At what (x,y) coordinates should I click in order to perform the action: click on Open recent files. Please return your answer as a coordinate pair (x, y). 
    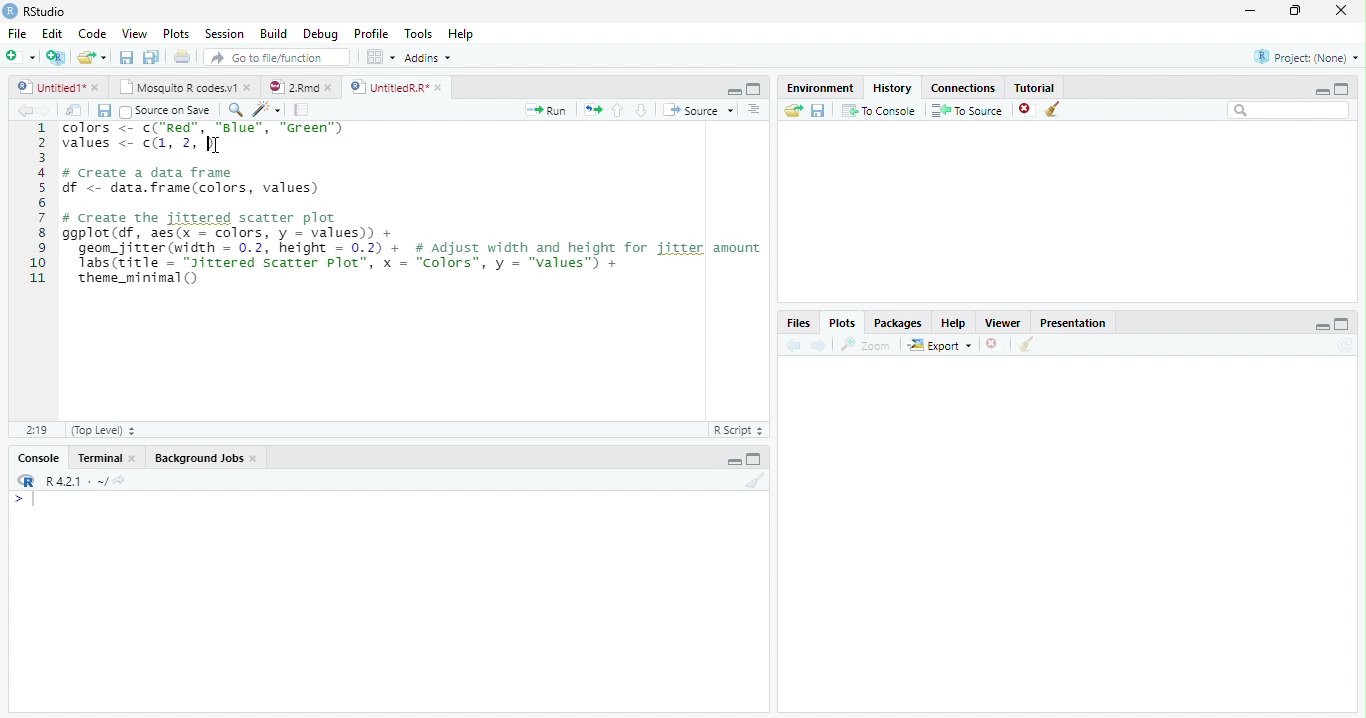
    Looking at the image, I should click on (104, 57).